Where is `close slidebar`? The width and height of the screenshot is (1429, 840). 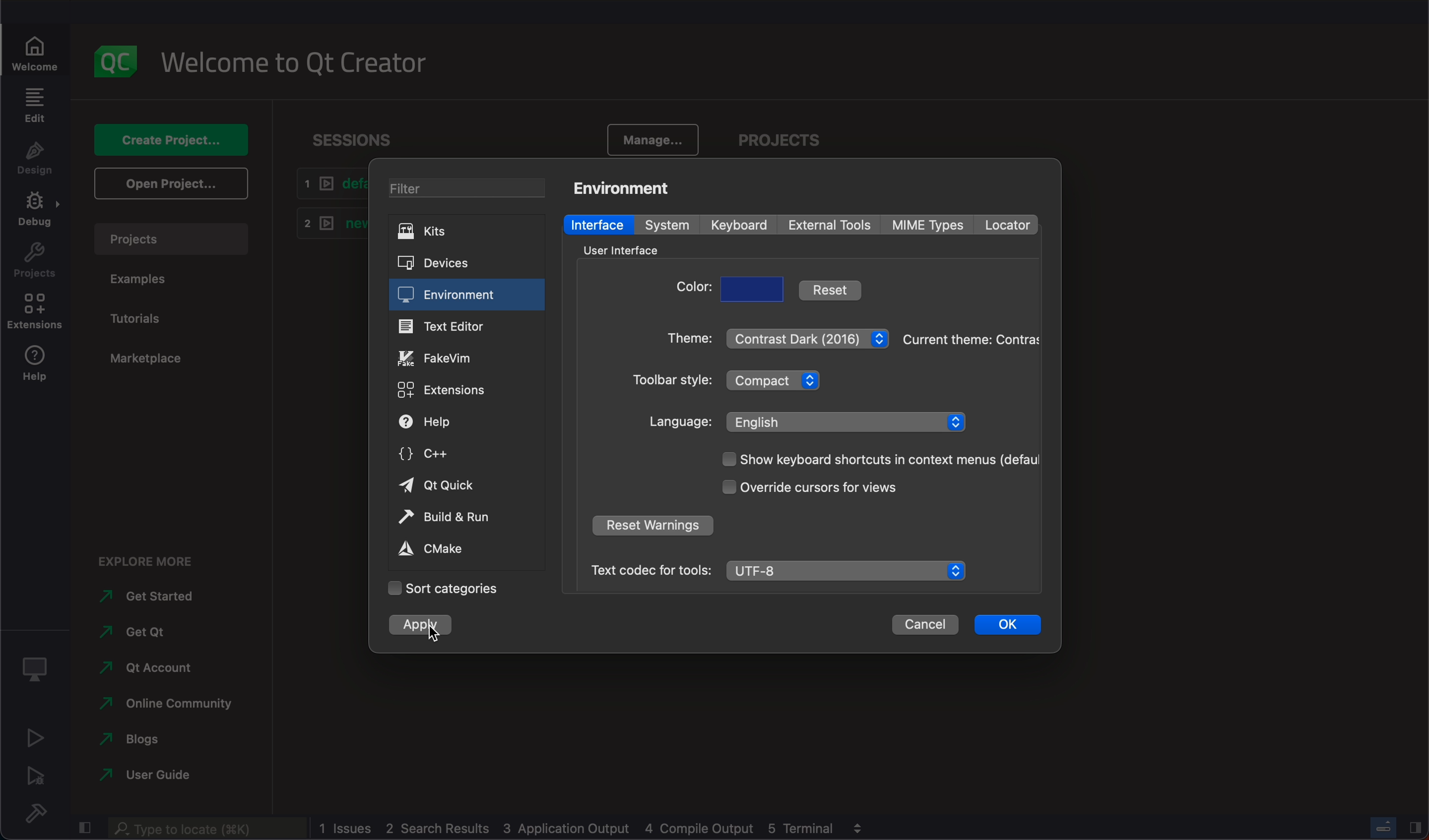 close slidebar is located at coordinates (84, 826).